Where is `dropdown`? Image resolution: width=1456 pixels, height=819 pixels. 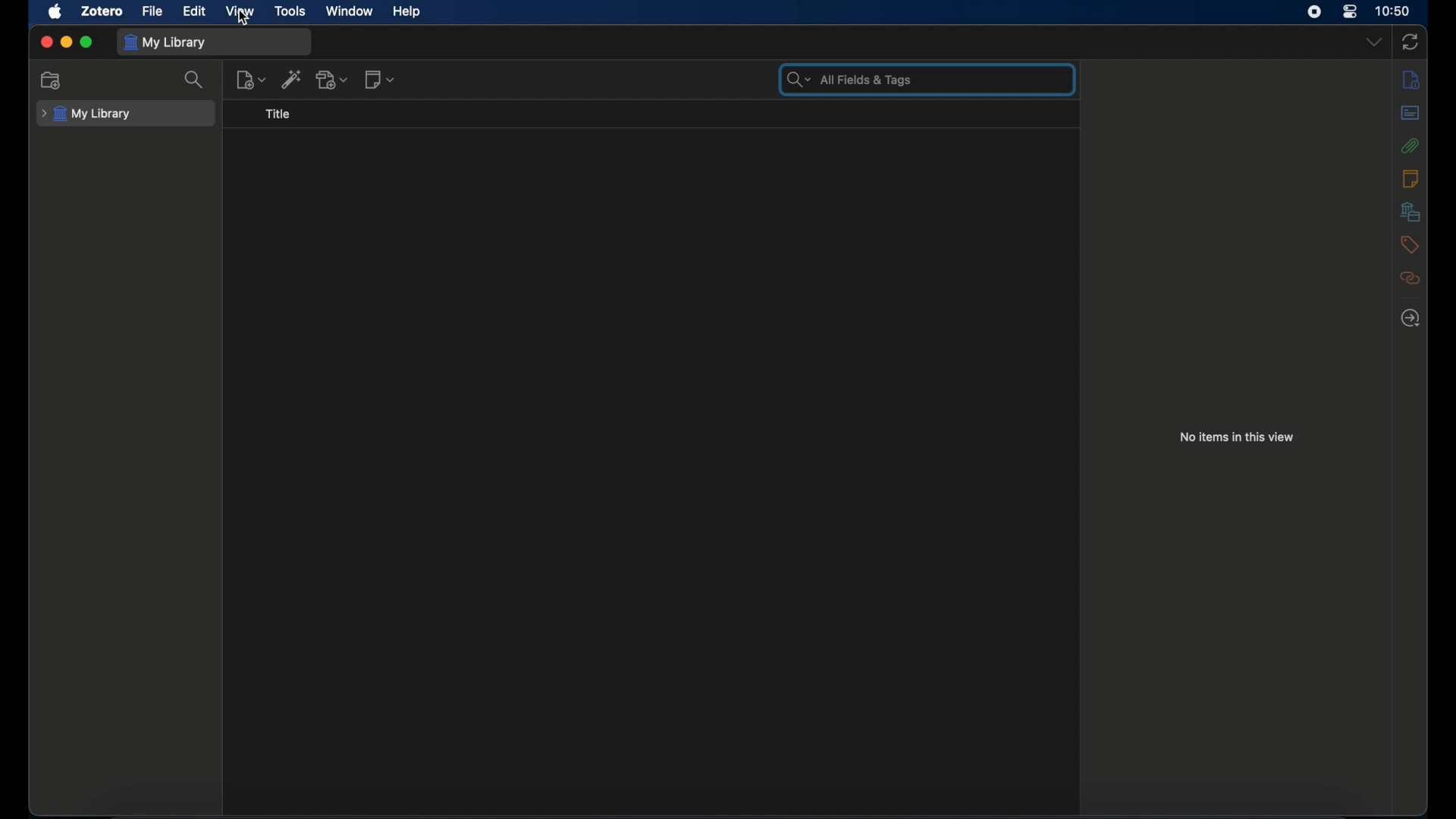 dropdown is located at coordinates (1374, 41).